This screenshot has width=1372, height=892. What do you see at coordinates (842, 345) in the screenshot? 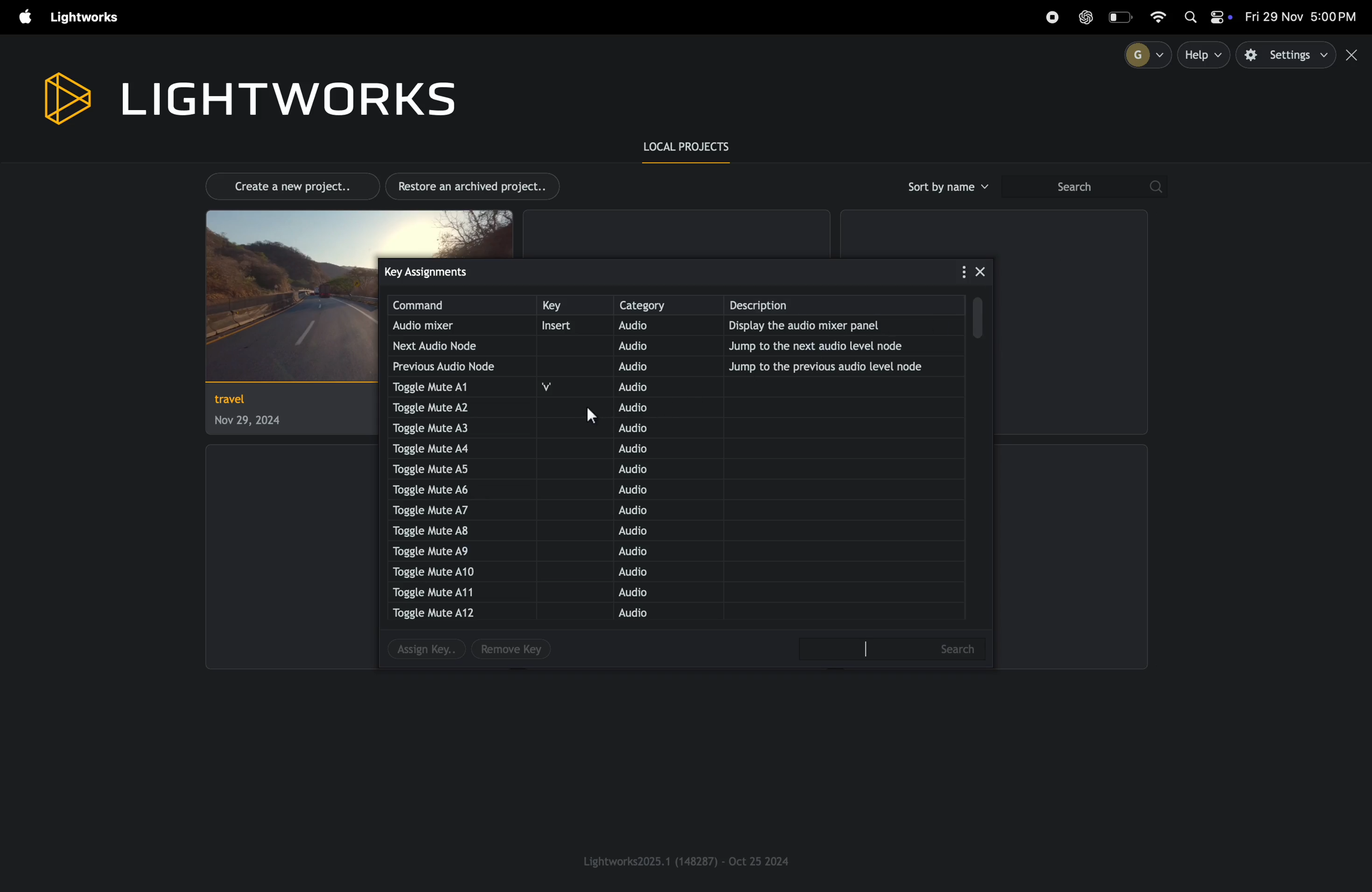
I see `jump to the next audio` at bounding box center [842, 345].